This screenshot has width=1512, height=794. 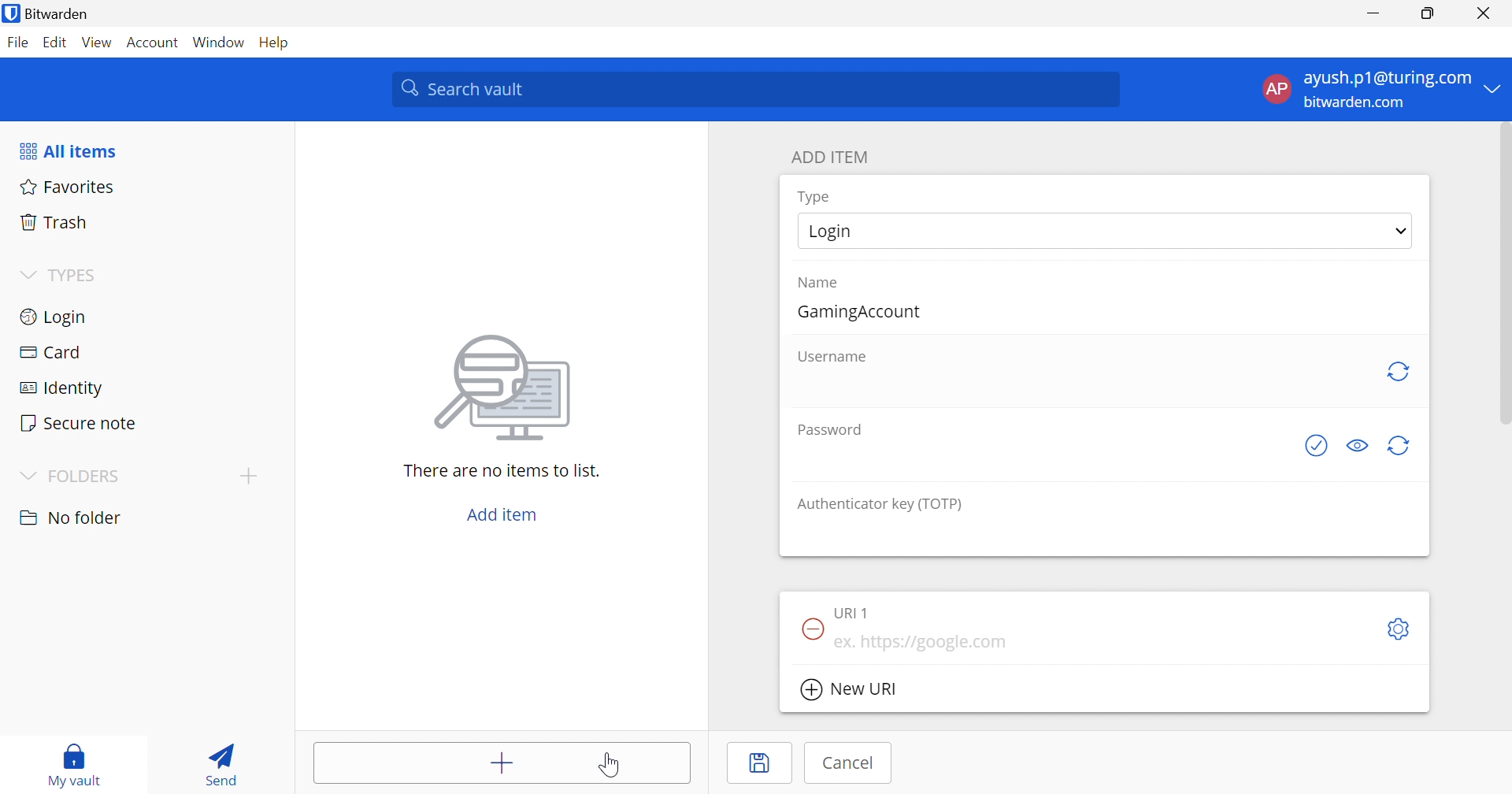 I want to click on Add items, so click(x=499, y=763).